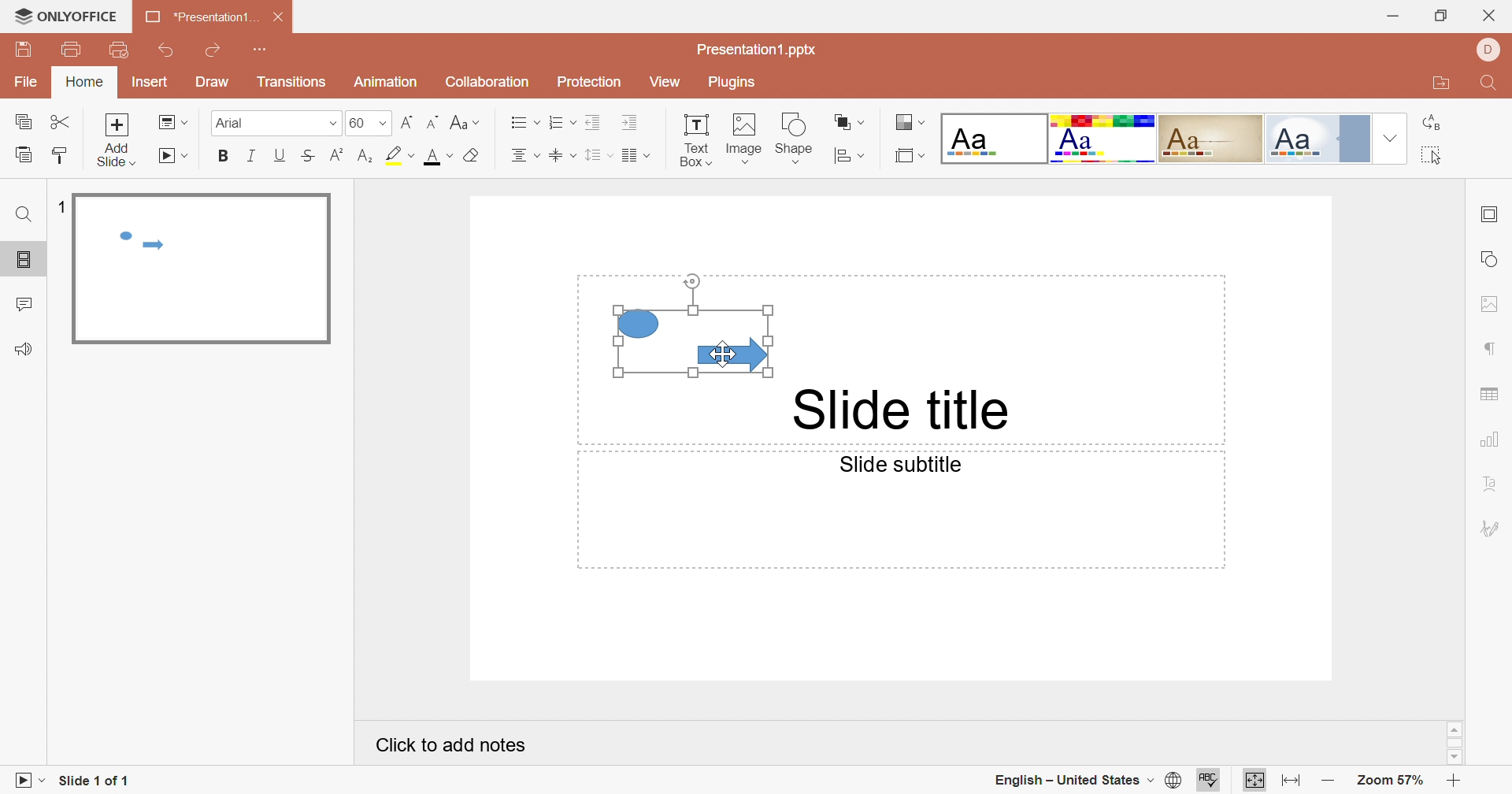 The width and height of the screenshot is (1512, 794). What do you see at coordinates (525, 157) in the screenshot?
I see `Center Text` at bounding box center [525, 157].